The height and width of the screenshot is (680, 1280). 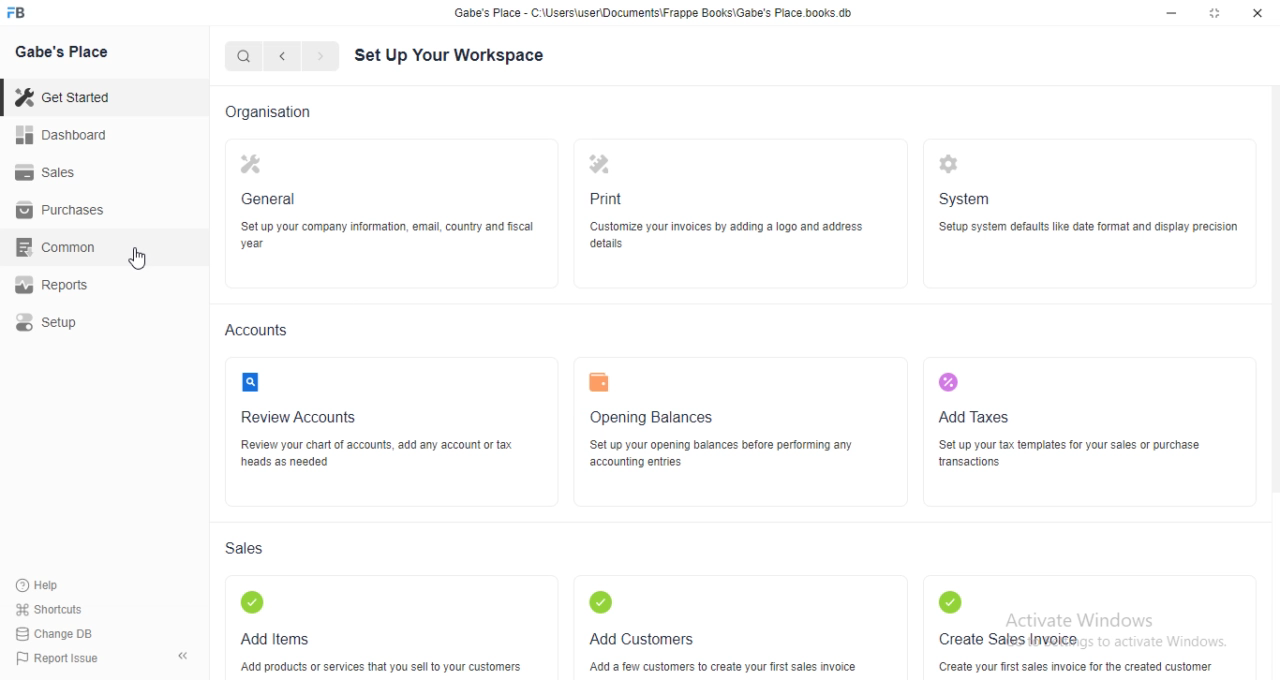 I want to click on ‘Setup your tax tempiates for your sales or purchase
transactions., so click(x=1070, y=451).